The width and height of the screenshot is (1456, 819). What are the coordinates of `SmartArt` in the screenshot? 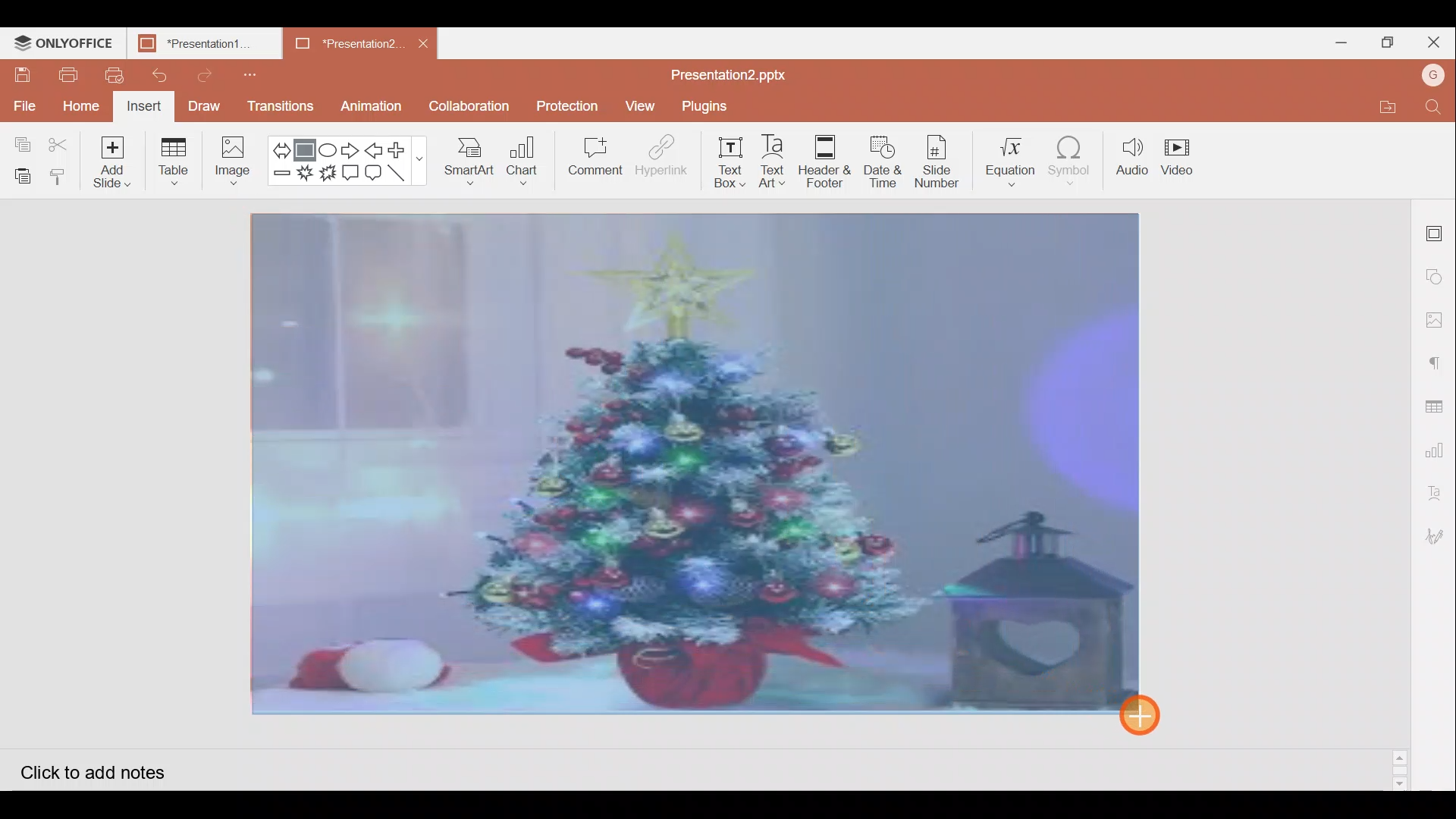 It's located at (468, 164).